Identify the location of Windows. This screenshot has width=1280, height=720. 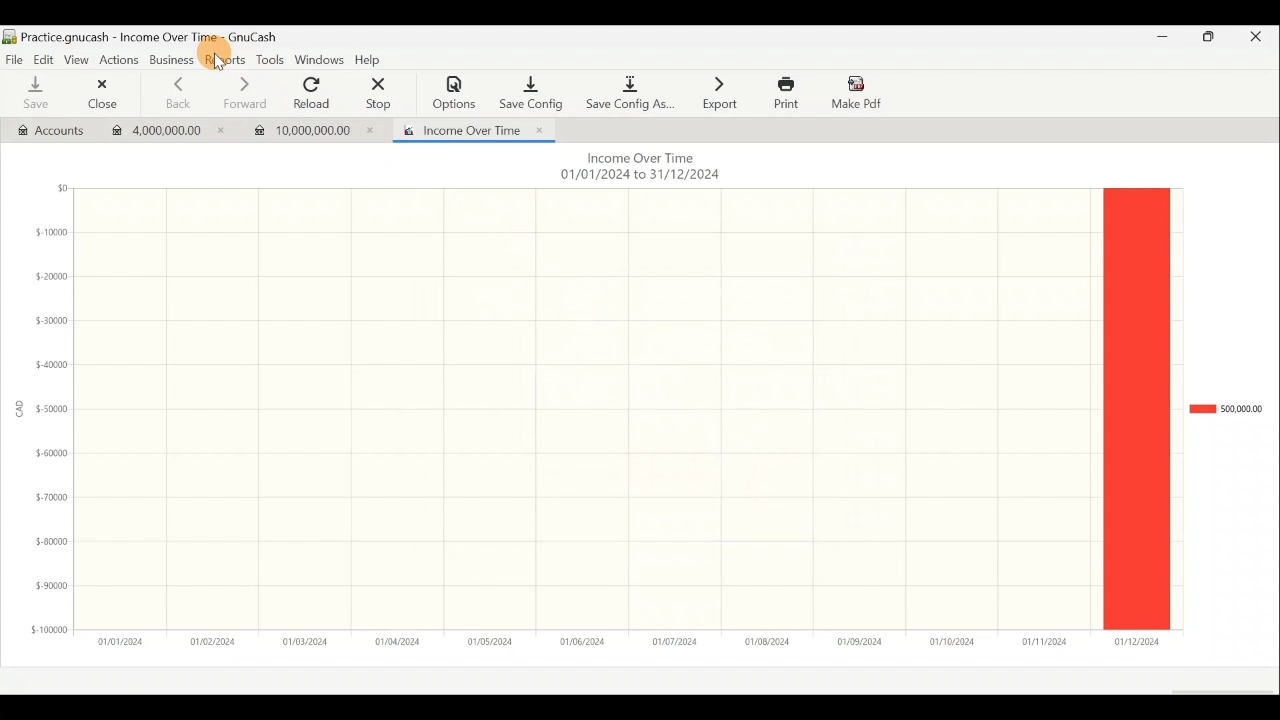
(320, 61).